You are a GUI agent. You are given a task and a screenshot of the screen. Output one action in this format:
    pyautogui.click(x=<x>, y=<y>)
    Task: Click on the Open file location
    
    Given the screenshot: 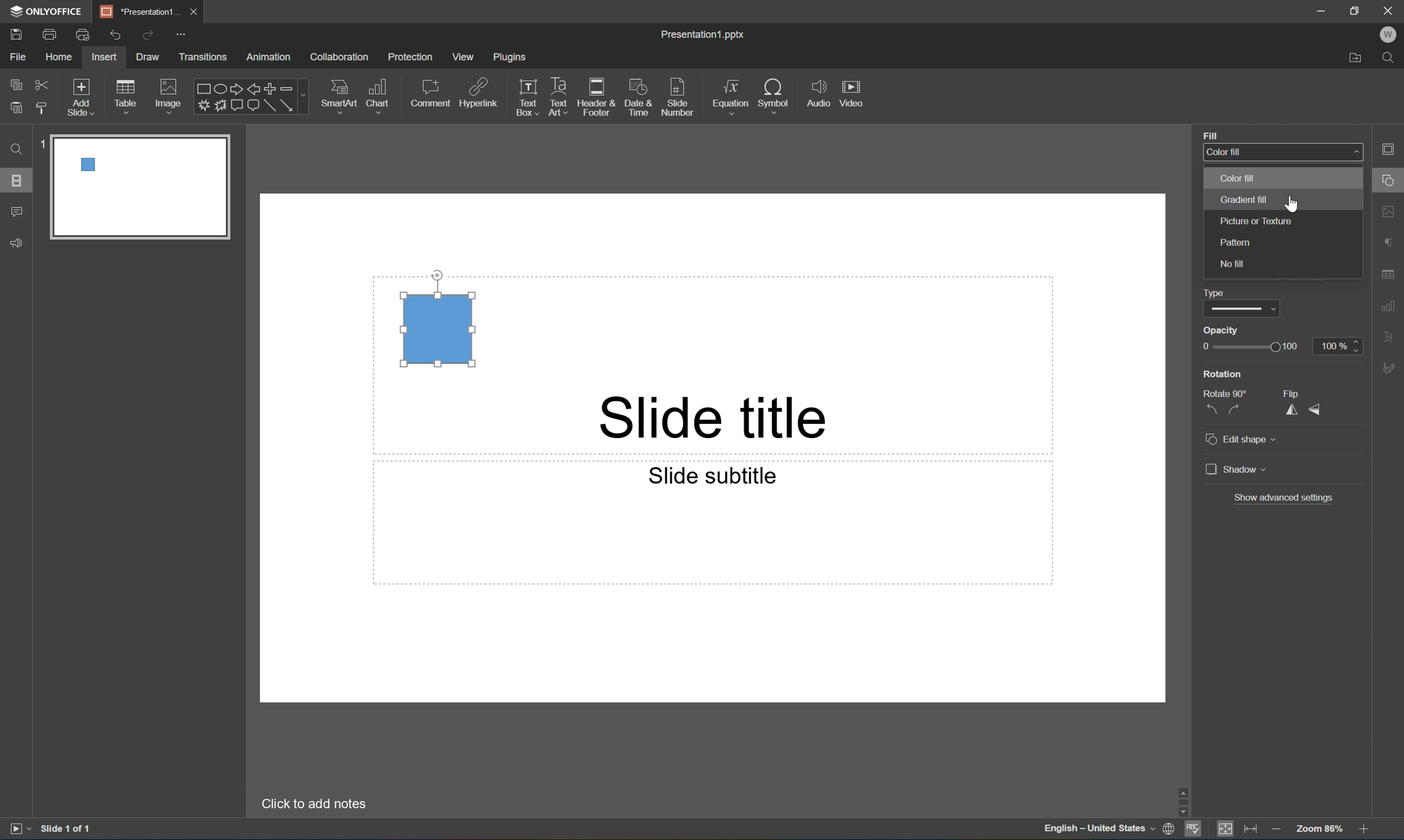 What is the action you would take?
    pyautogui.click(x=1356, y=60)
    